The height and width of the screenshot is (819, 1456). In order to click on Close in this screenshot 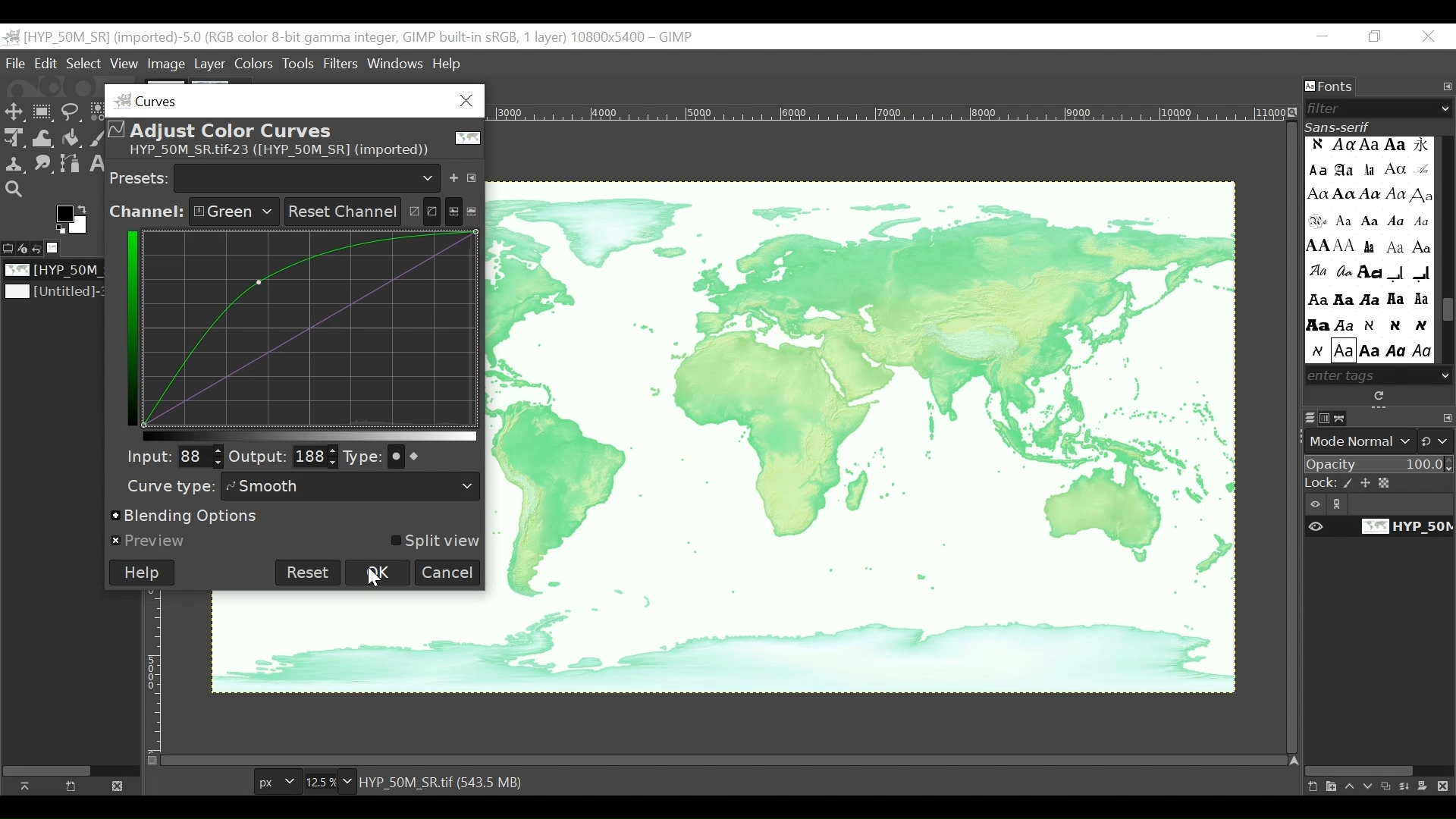, I will do `click(115, 785)`.